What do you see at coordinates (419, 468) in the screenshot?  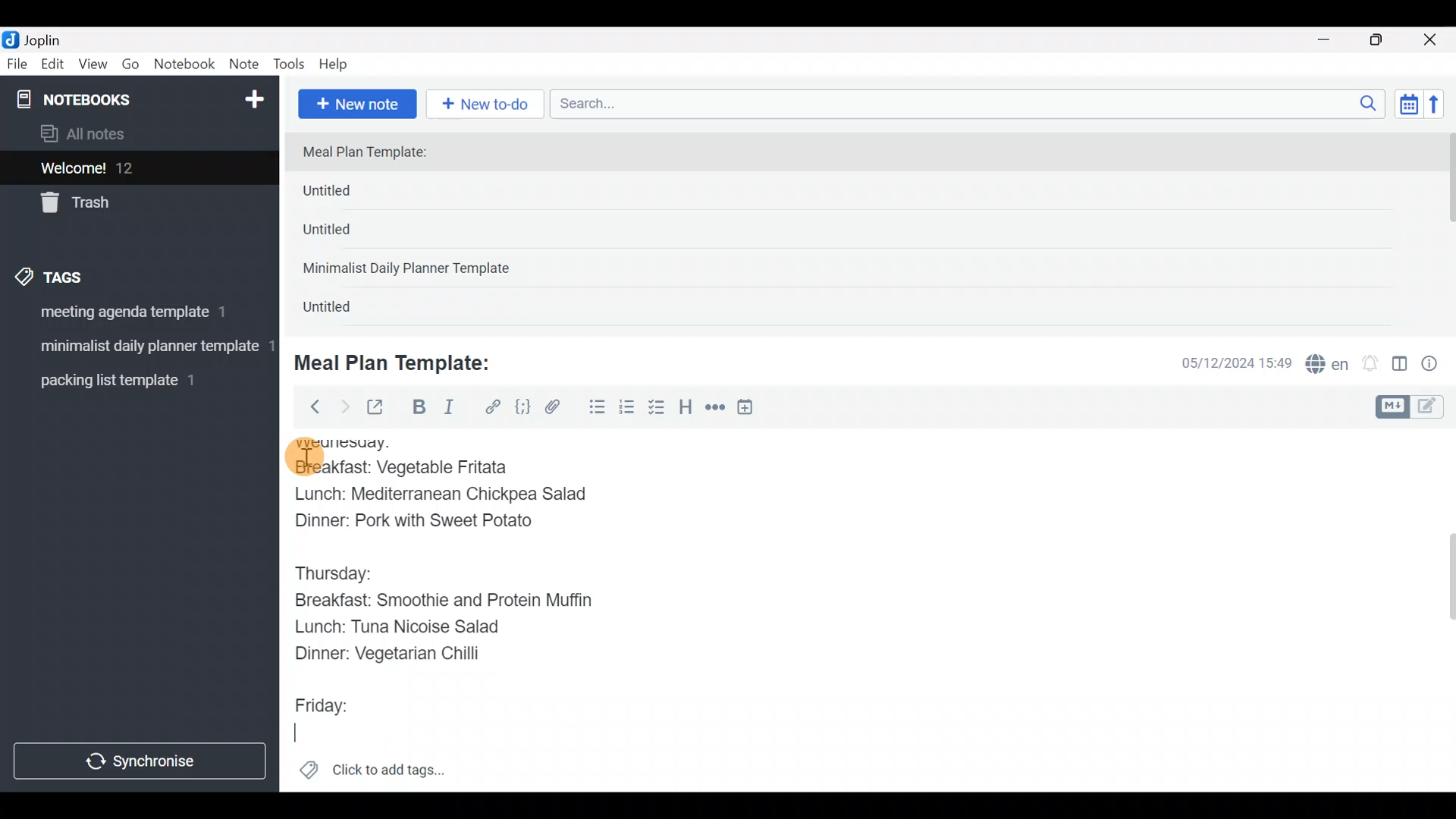 I see `Breakfast: Vegetable Fritata` at bounding box center [419, 468].